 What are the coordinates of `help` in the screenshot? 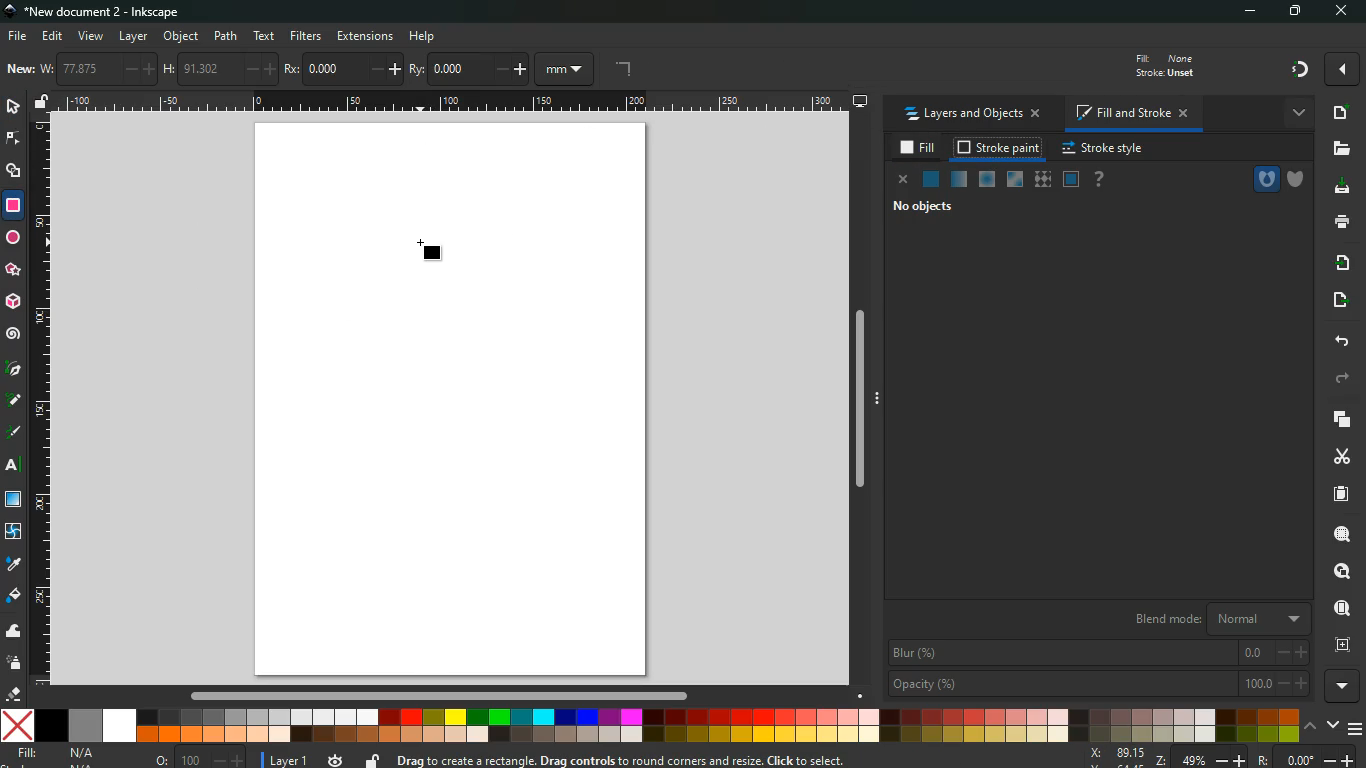 It's located at (426, 37).